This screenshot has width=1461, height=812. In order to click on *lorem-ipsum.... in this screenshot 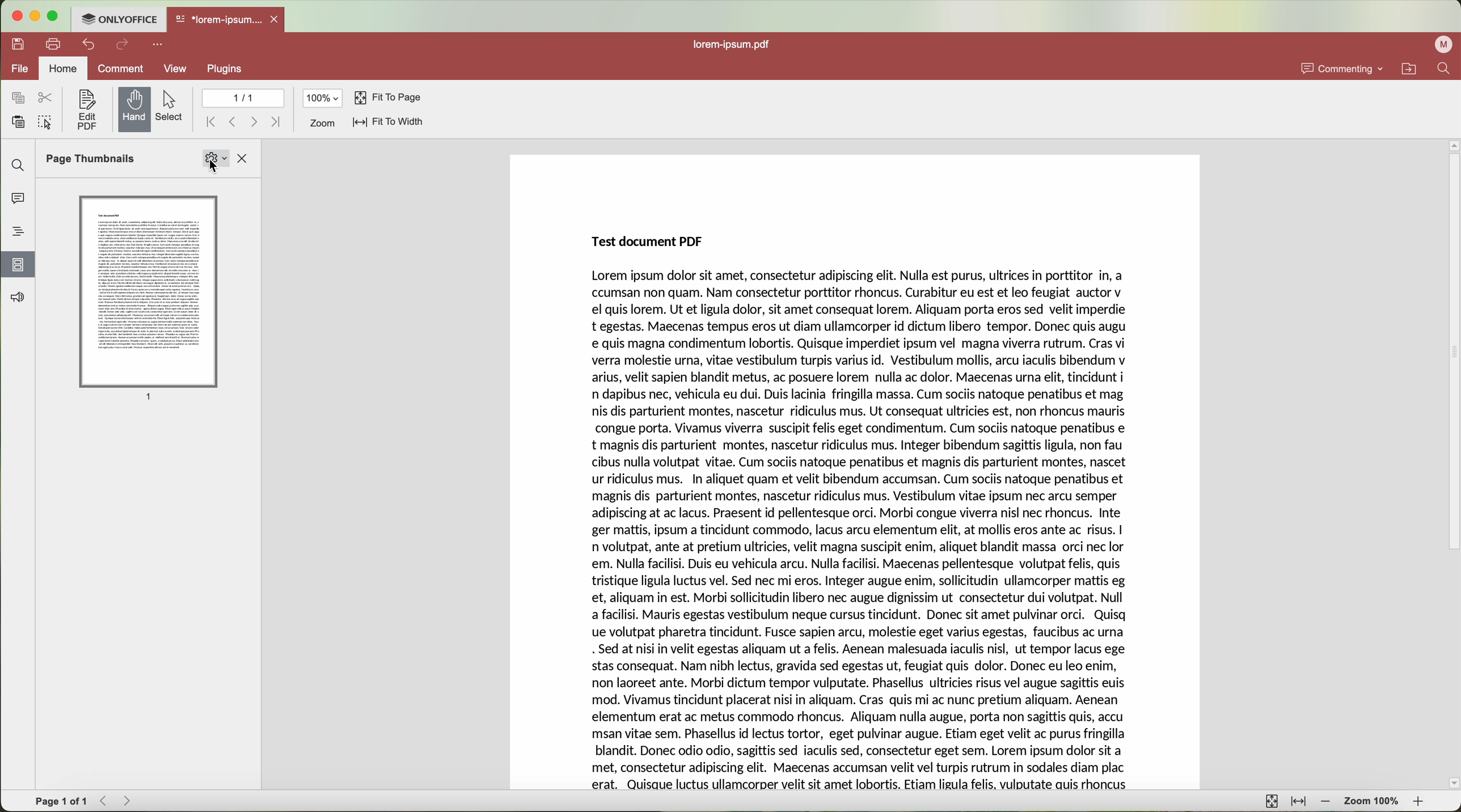, I will do `click(219, 18)`.